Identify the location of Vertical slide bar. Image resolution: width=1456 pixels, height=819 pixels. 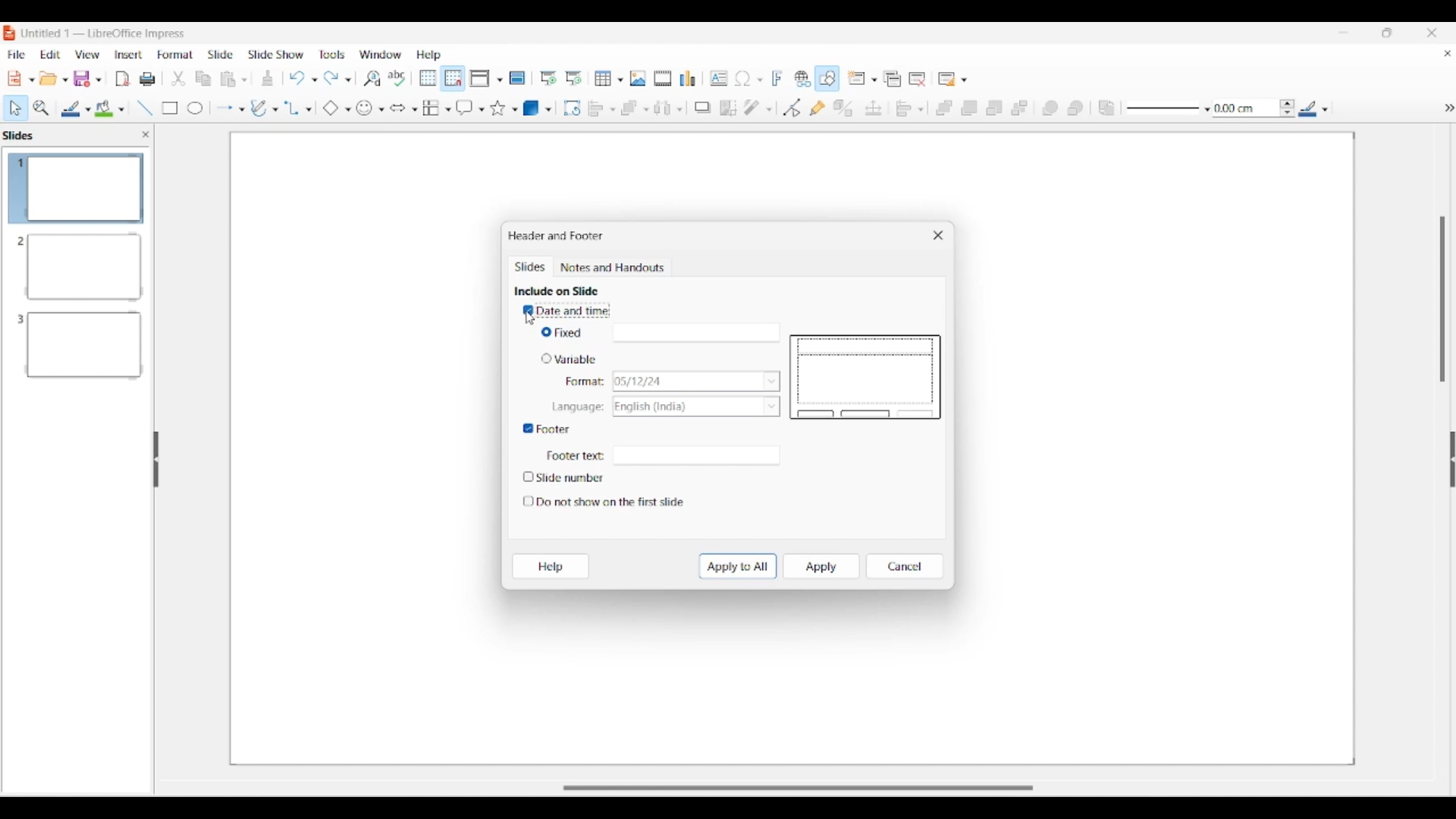
(1442, 300).